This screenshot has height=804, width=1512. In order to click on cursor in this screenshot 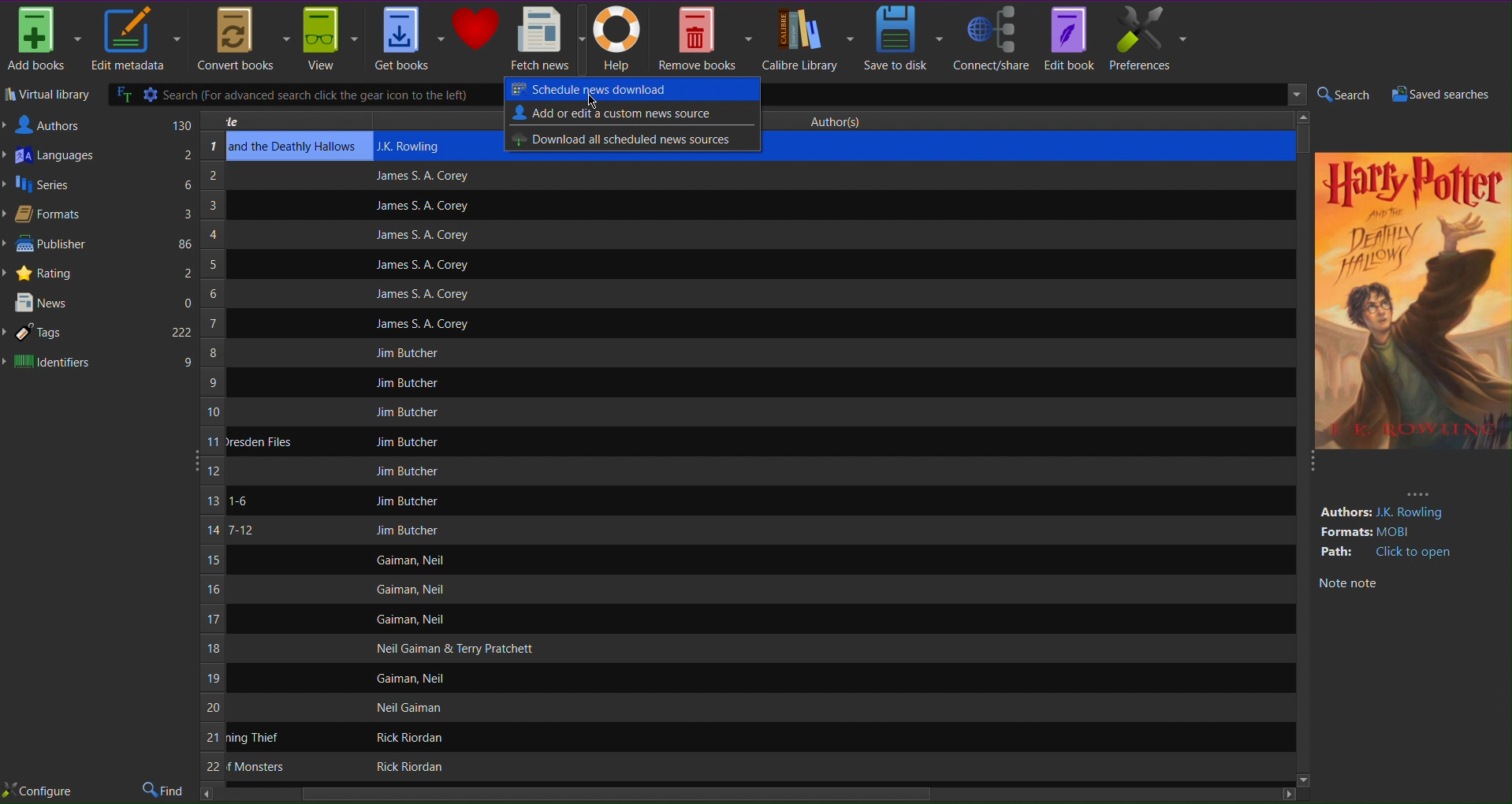, I will do `click(593, 101)`.